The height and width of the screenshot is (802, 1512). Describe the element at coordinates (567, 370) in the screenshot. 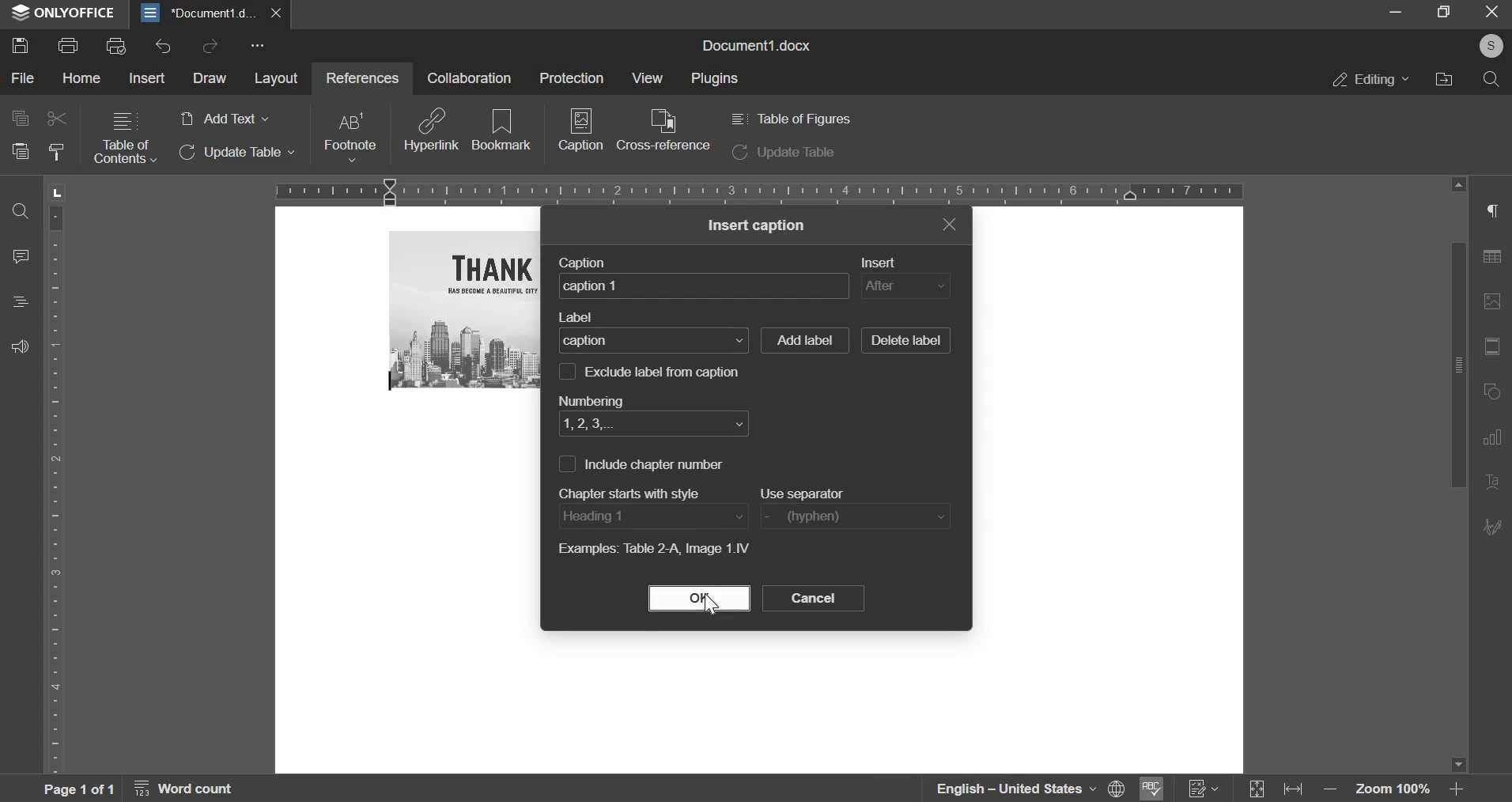

I see `exclude label from caption` at that location.